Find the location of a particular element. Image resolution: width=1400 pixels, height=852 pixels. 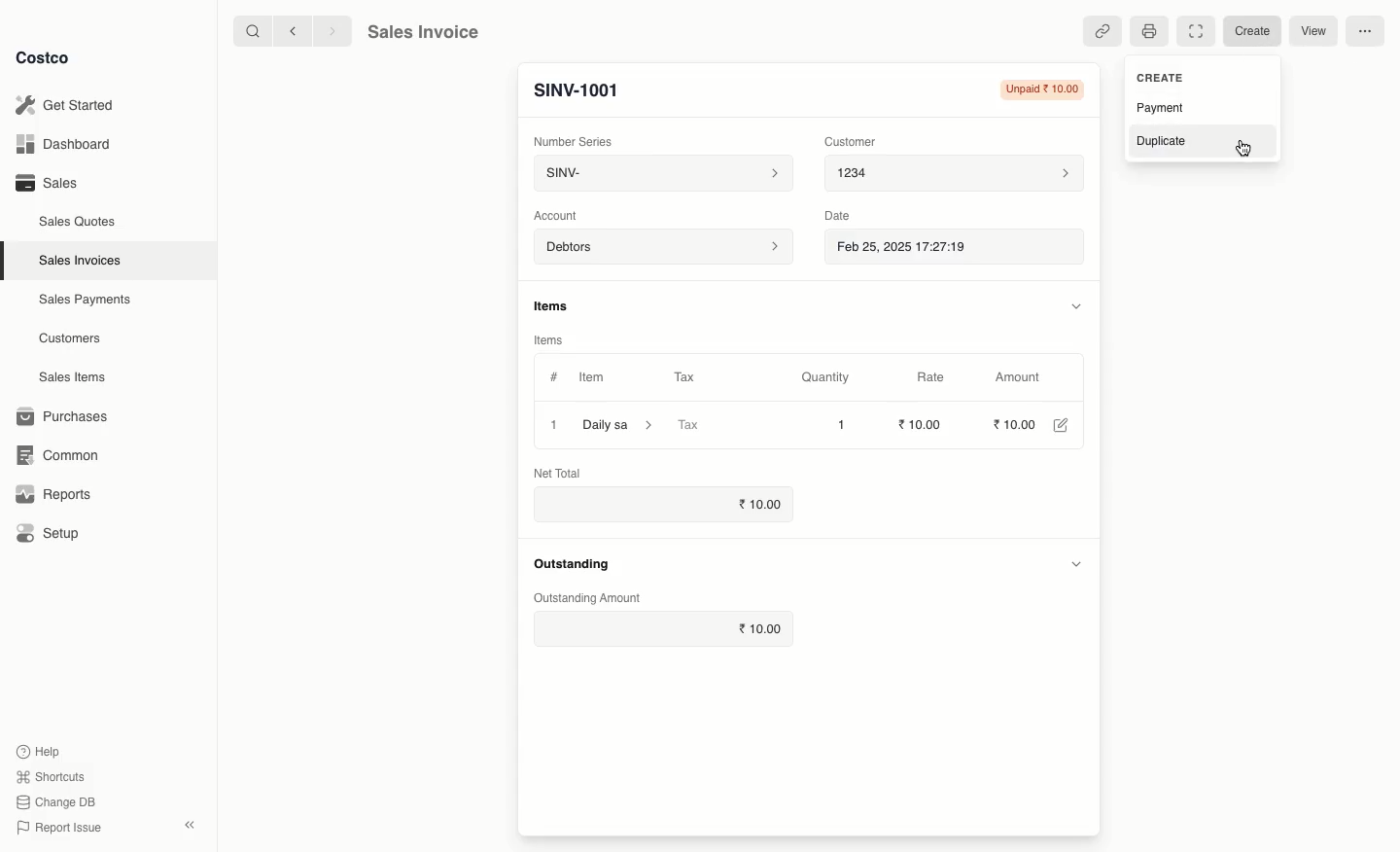

‘Amount is located at coordinates (1018, 378).